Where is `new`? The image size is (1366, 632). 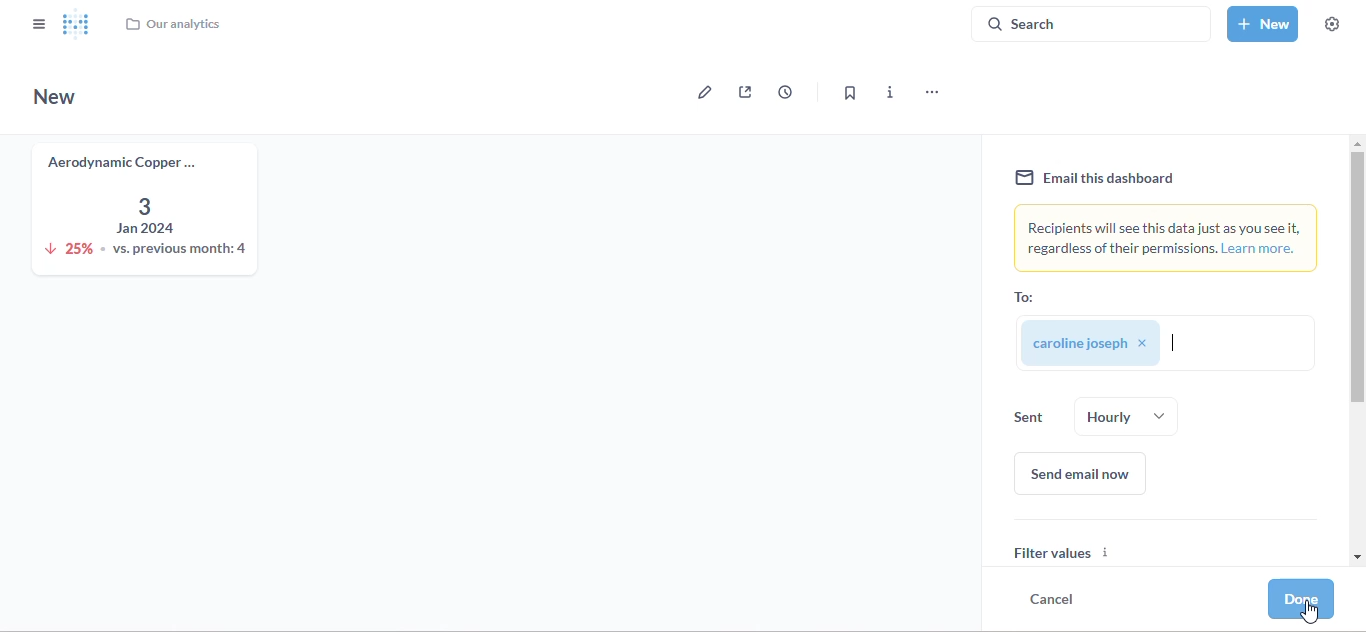 new is located at coordinates (55, 96).